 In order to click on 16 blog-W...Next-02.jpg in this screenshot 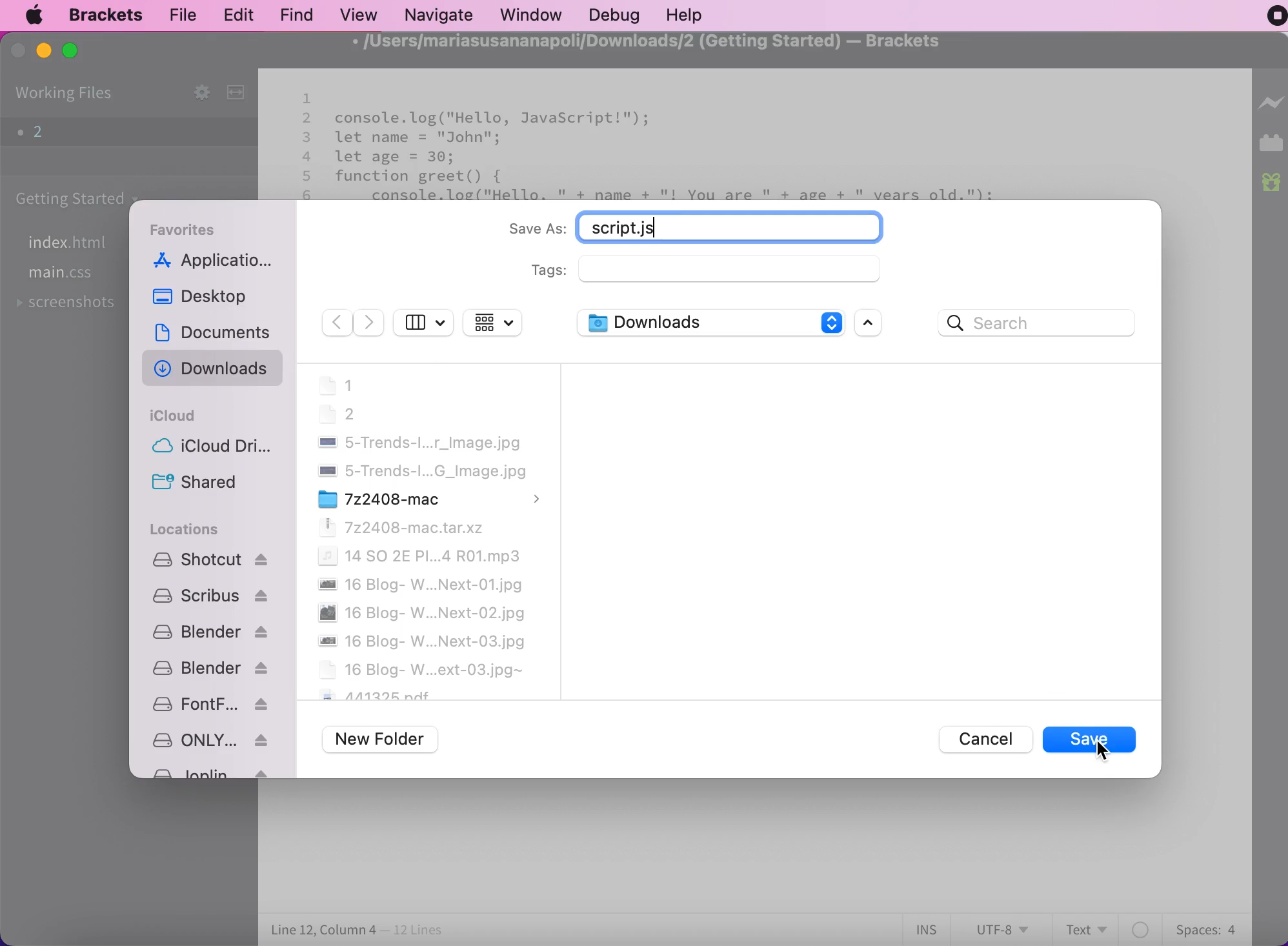, I will do `click(421, 613)`.